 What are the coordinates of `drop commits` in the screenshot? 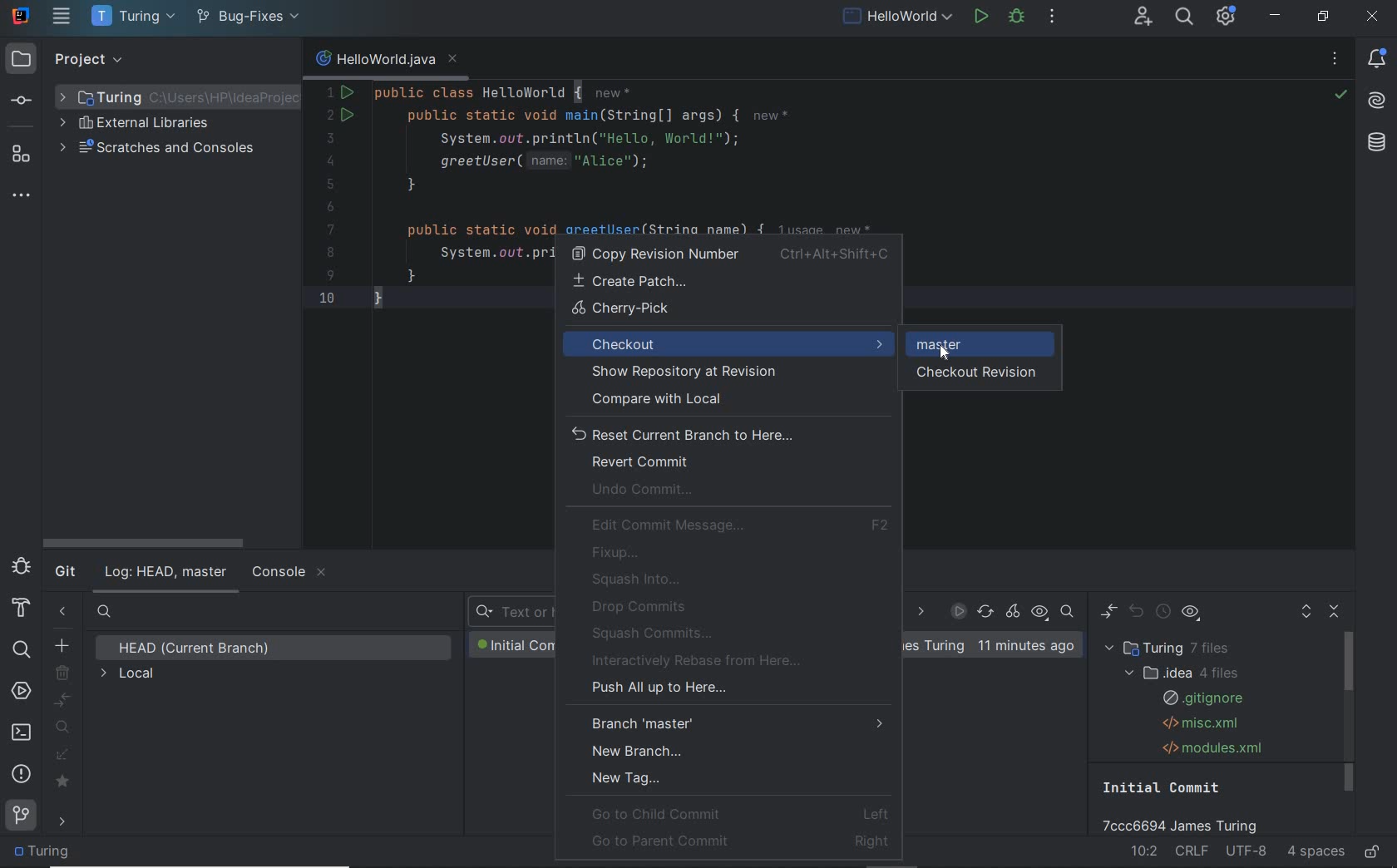 It's located at (635, 607).